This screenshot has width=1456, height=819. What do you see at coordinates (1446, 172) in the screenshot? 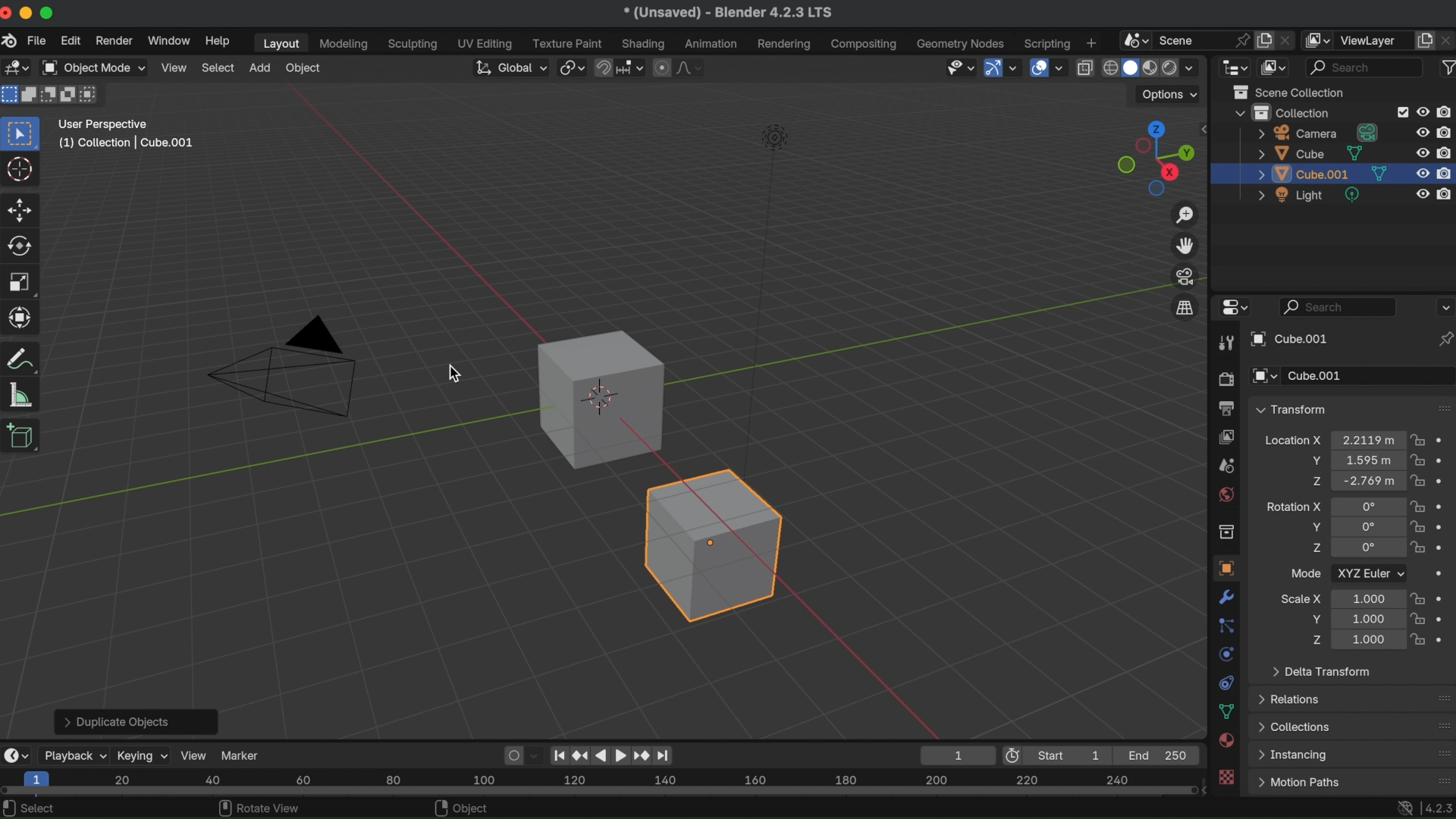
I see `disable in render` at bounding box center [1446, 172].